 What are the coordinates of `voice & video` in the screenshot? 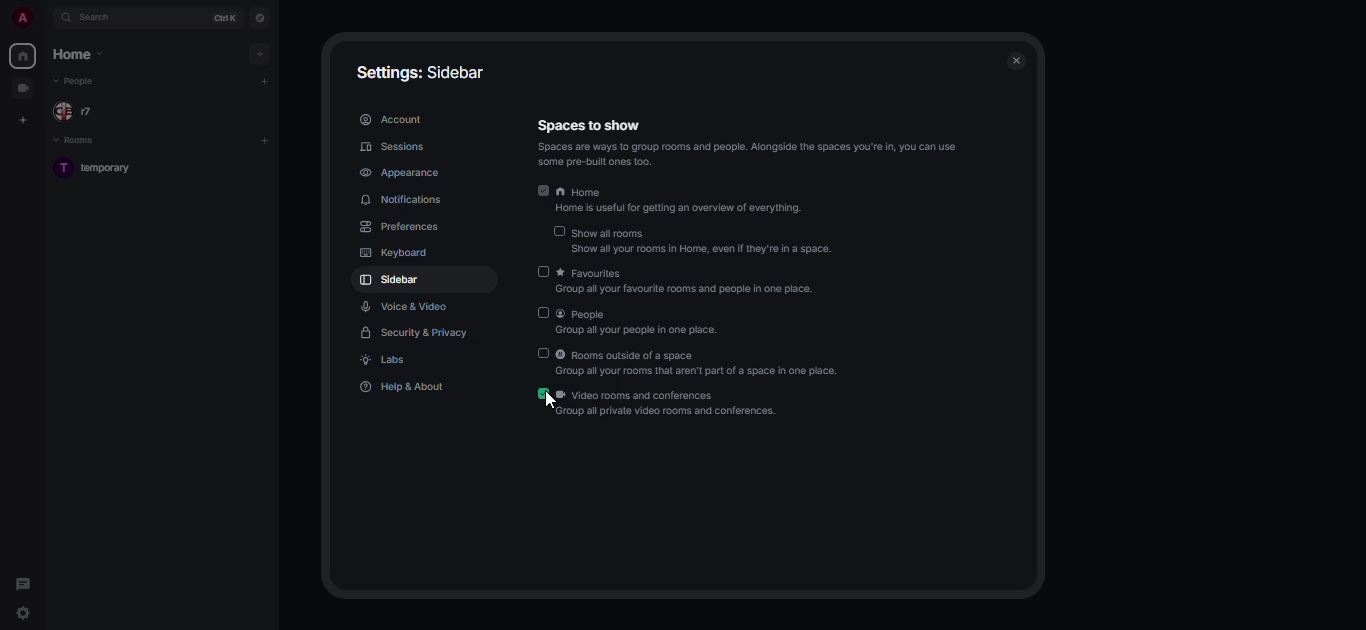 It's located at (407, 305).